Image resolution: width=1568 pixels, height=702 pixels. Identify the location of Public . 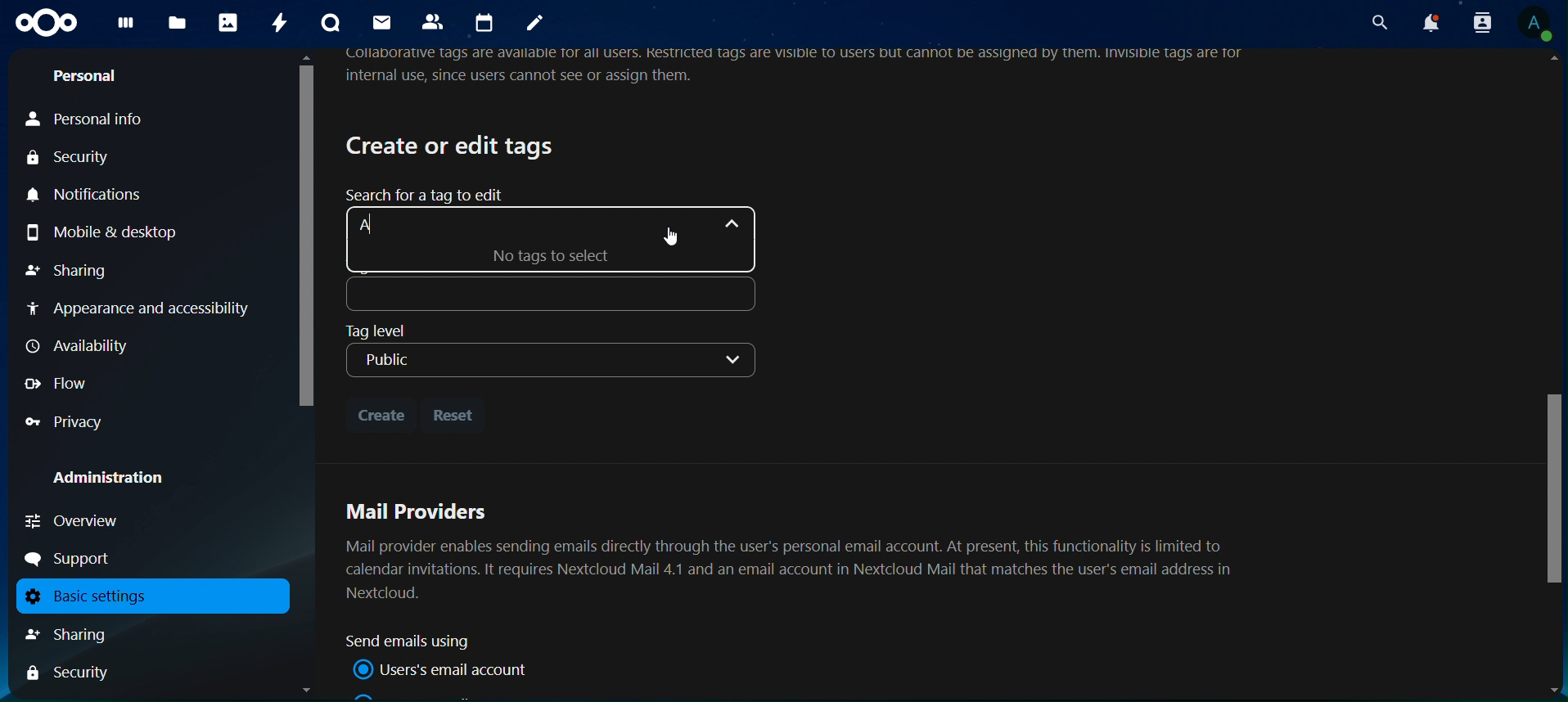
(549, 362).